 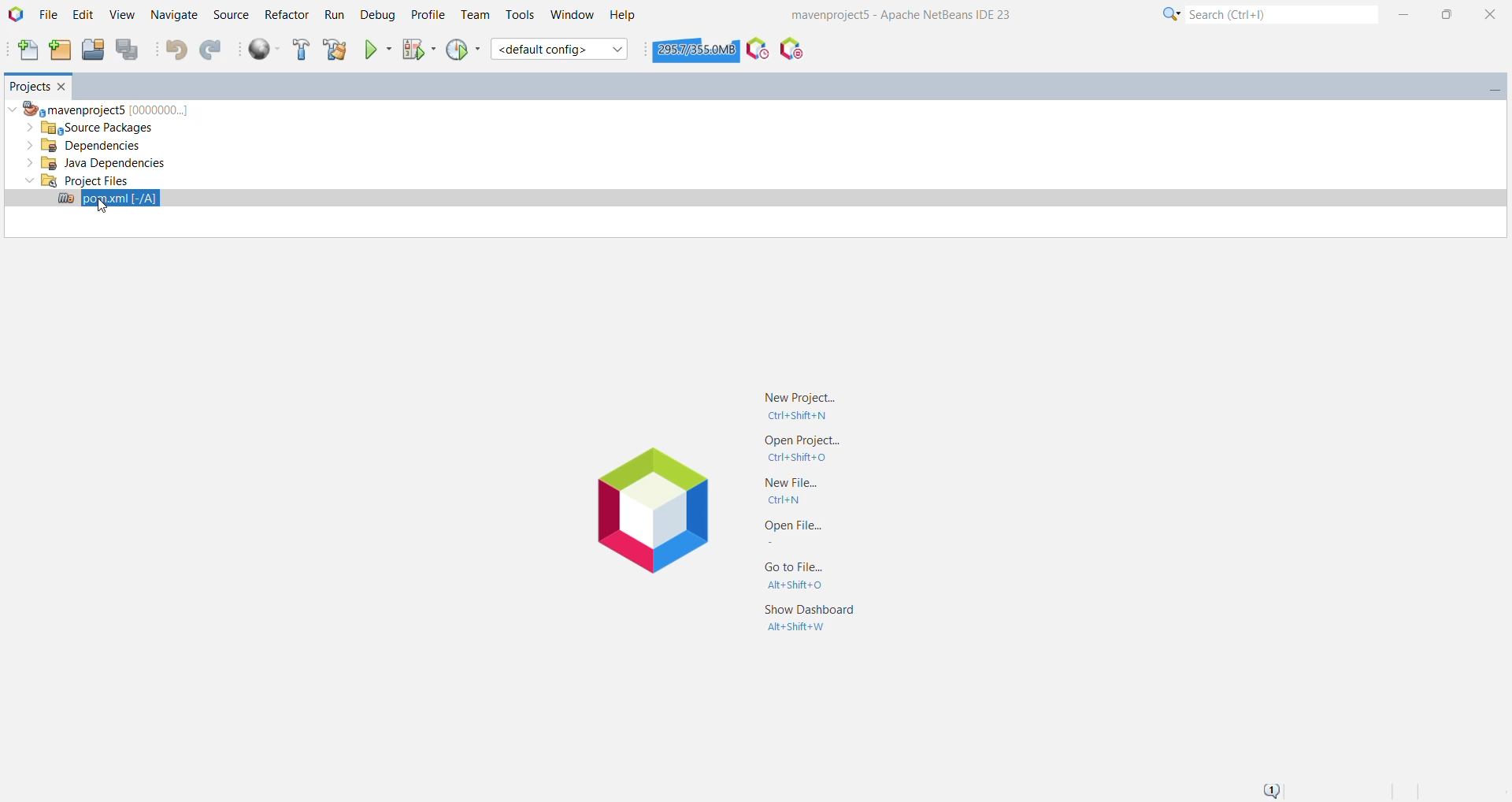 What do you see at coordinates (175, 16) in the screenshot?
I see `Navigate` at bounding box center [175, 16].